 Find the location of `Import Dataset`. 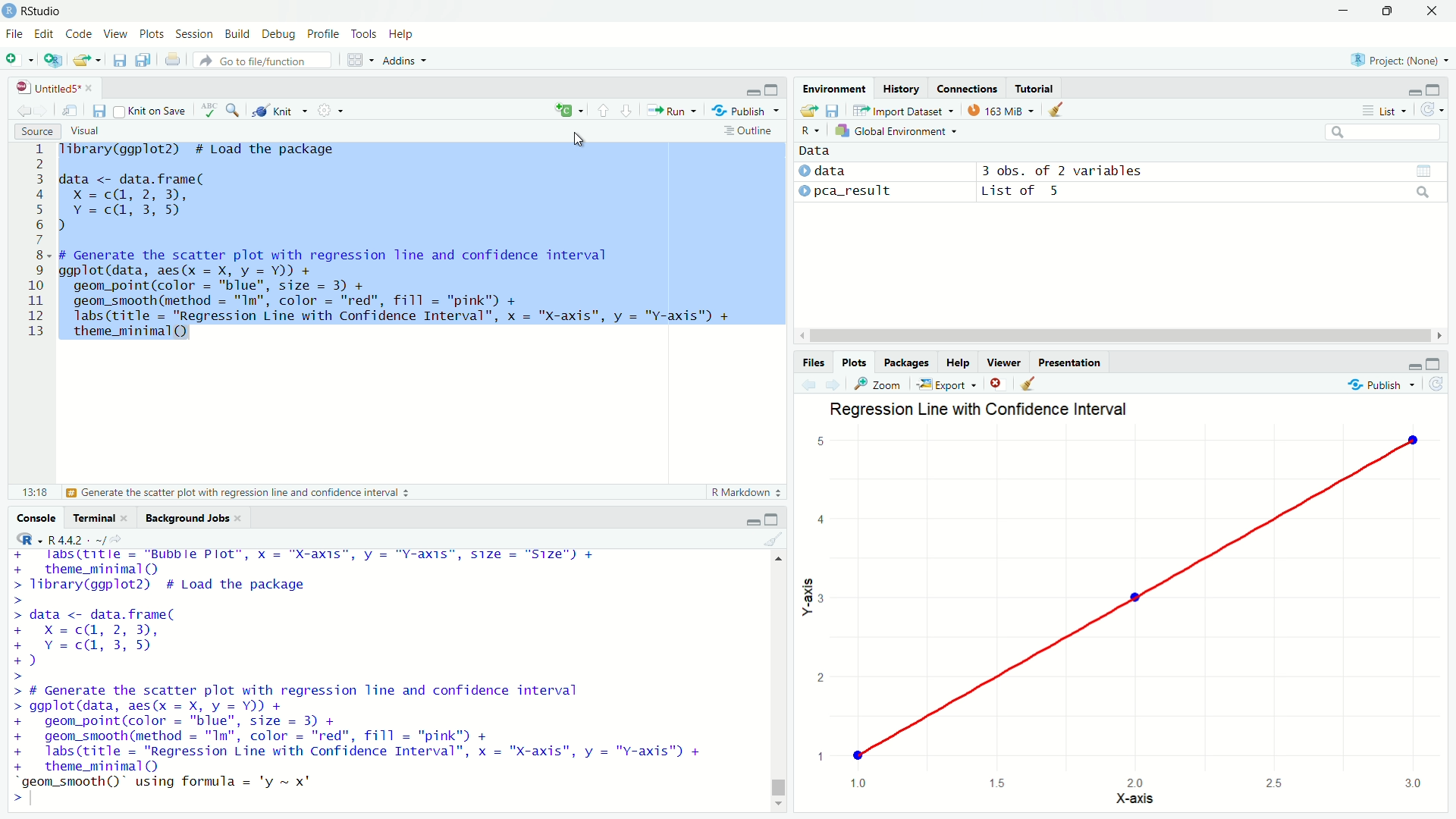

Import Dataset is located at coordinates (904, 109).